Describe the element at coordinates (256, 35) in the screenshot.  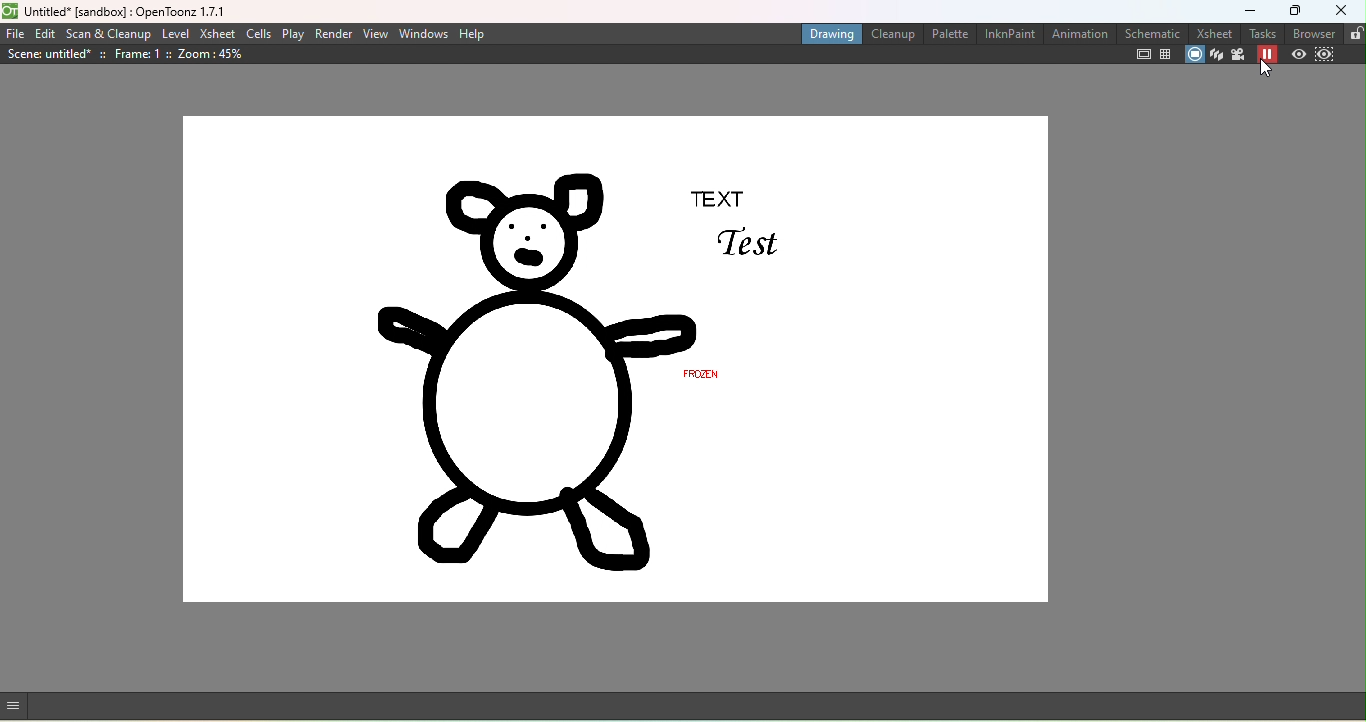
I see `Cells` at that location.